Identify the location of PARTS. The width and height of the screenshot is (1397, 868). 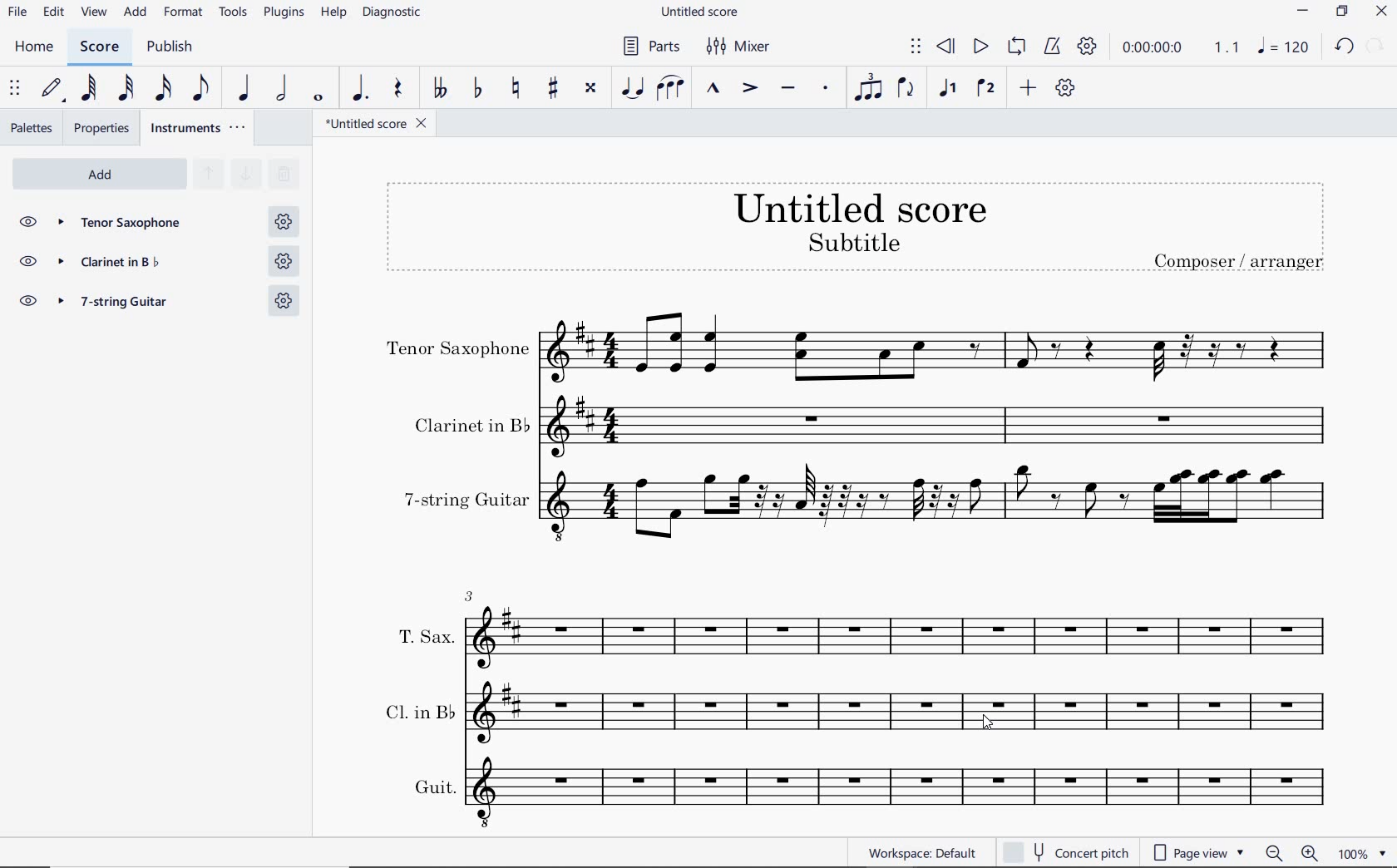
(648, 44).